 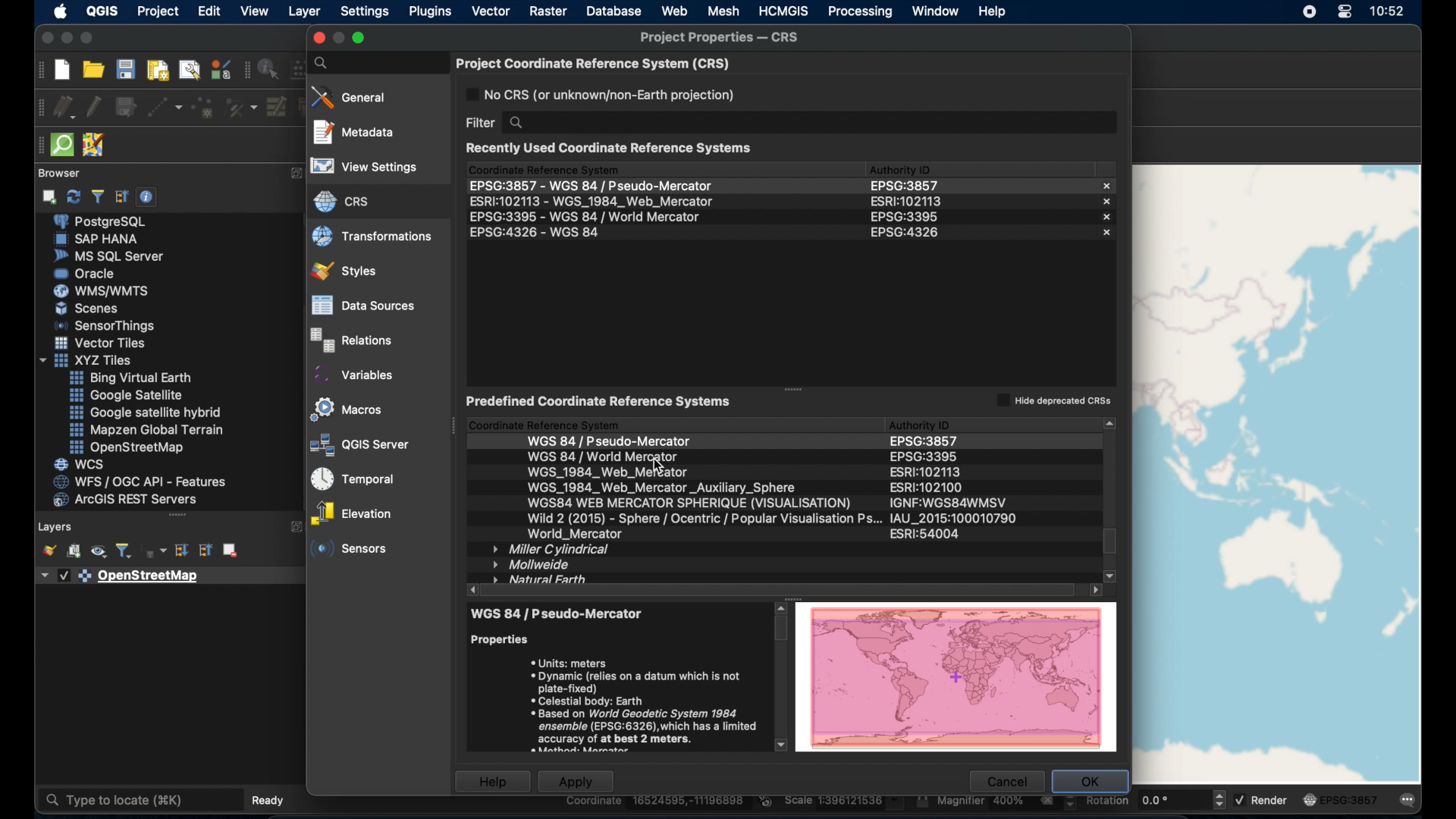 What do you see at coordinates (61, 71) in the screenshot?
I see `new project` at bounding box center [61, 71].